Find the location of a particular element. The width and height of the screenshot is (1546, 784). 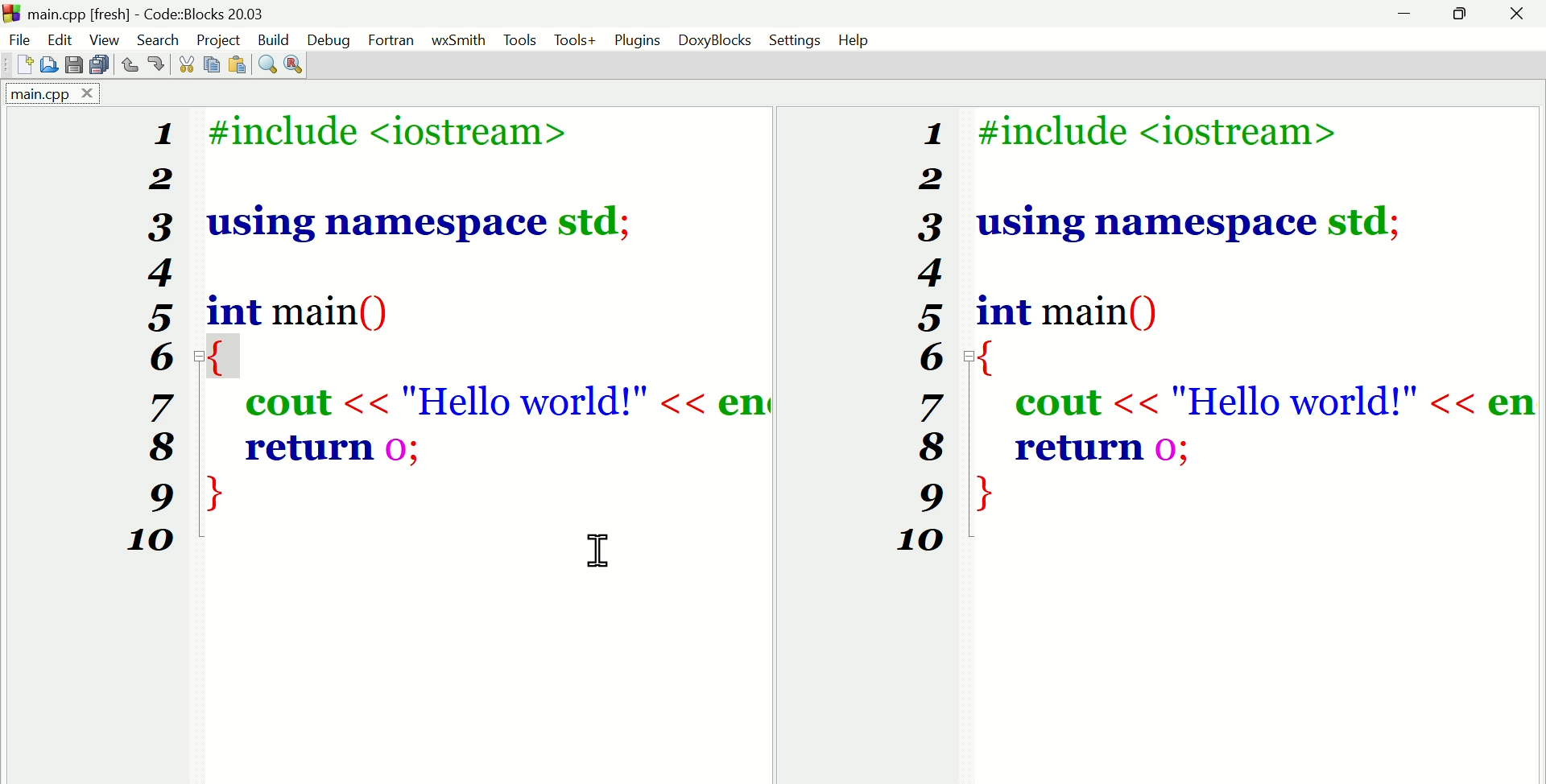

fortran is located at coordinates (391, 41).